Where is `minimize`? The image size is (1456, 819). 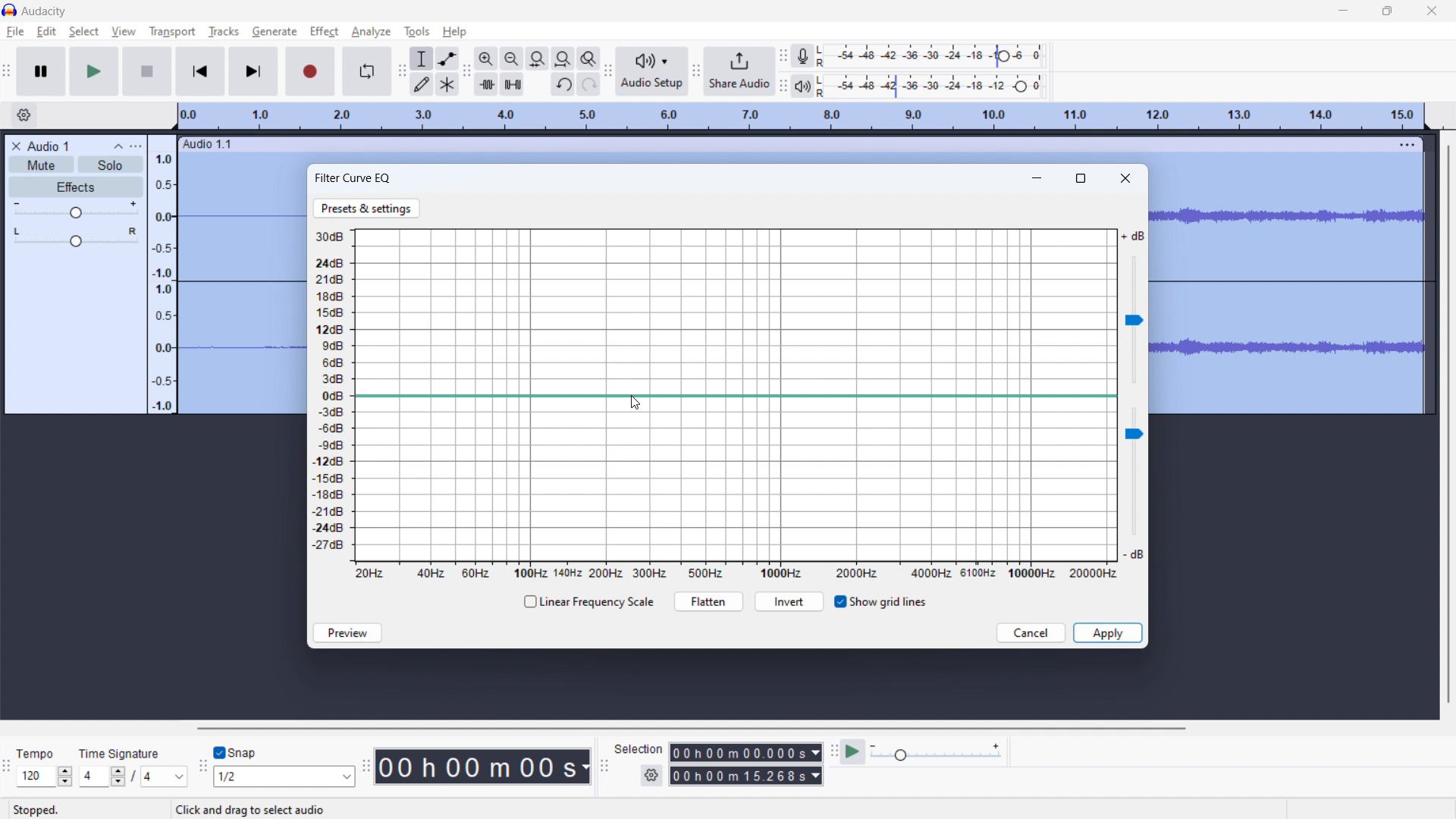
minimize is located at coordinates (1039, 176).